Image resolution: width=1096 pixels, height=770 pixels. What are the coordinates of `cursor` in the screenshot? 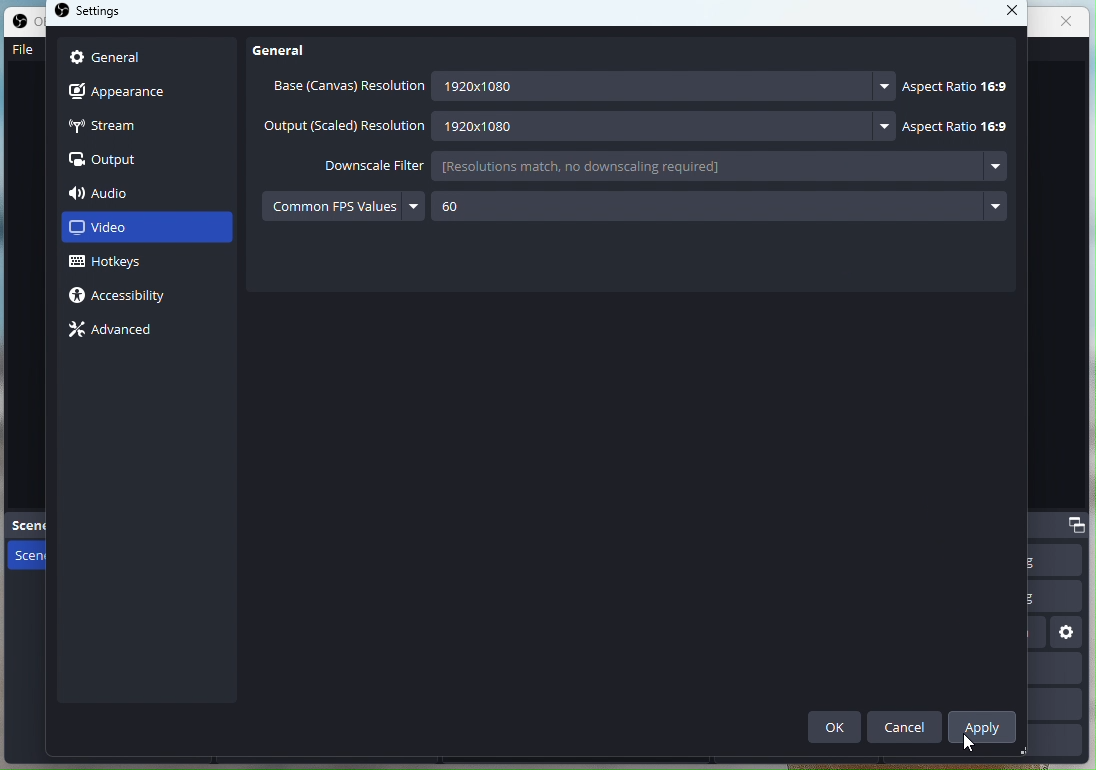 It's located at (969, 741).